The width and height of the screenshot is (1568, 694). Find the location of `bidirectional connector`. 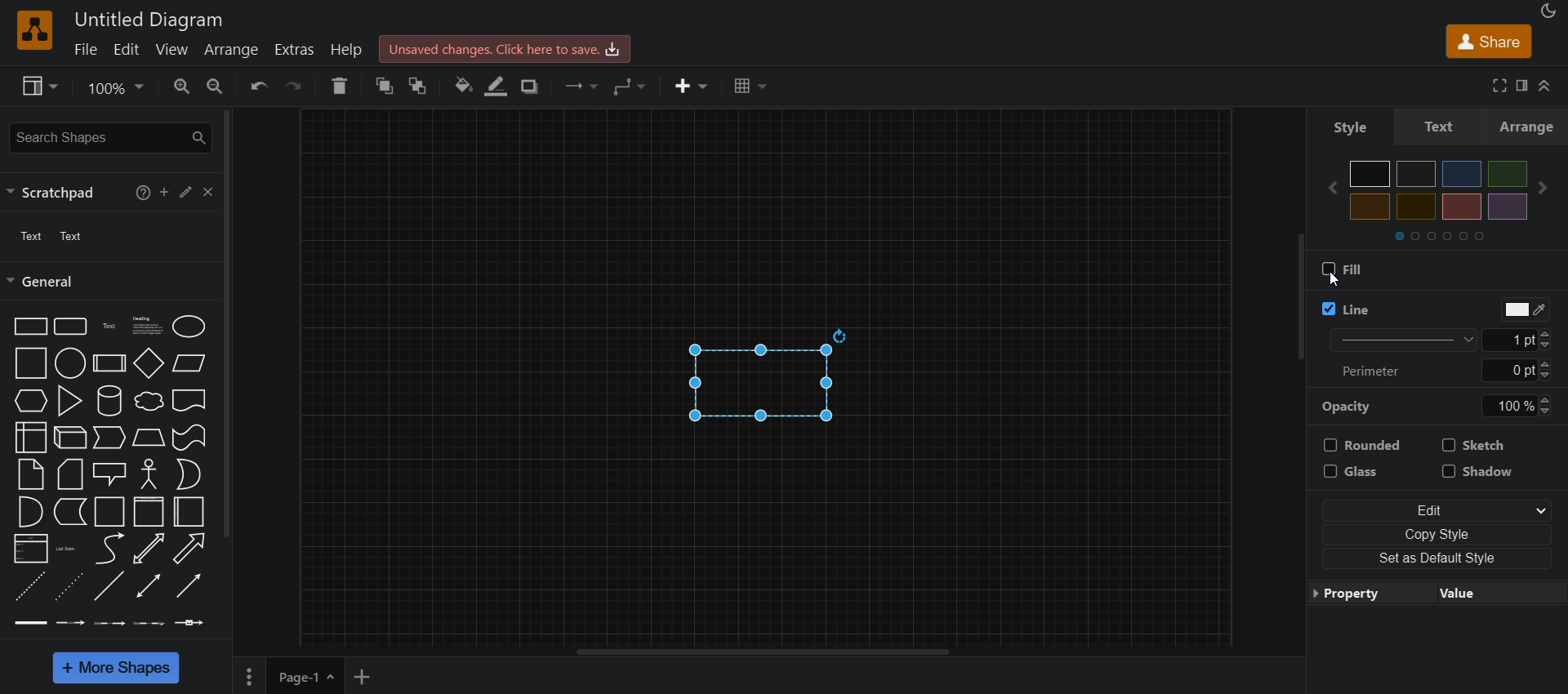

bidirectional connector is located at coordinates (148, 587).